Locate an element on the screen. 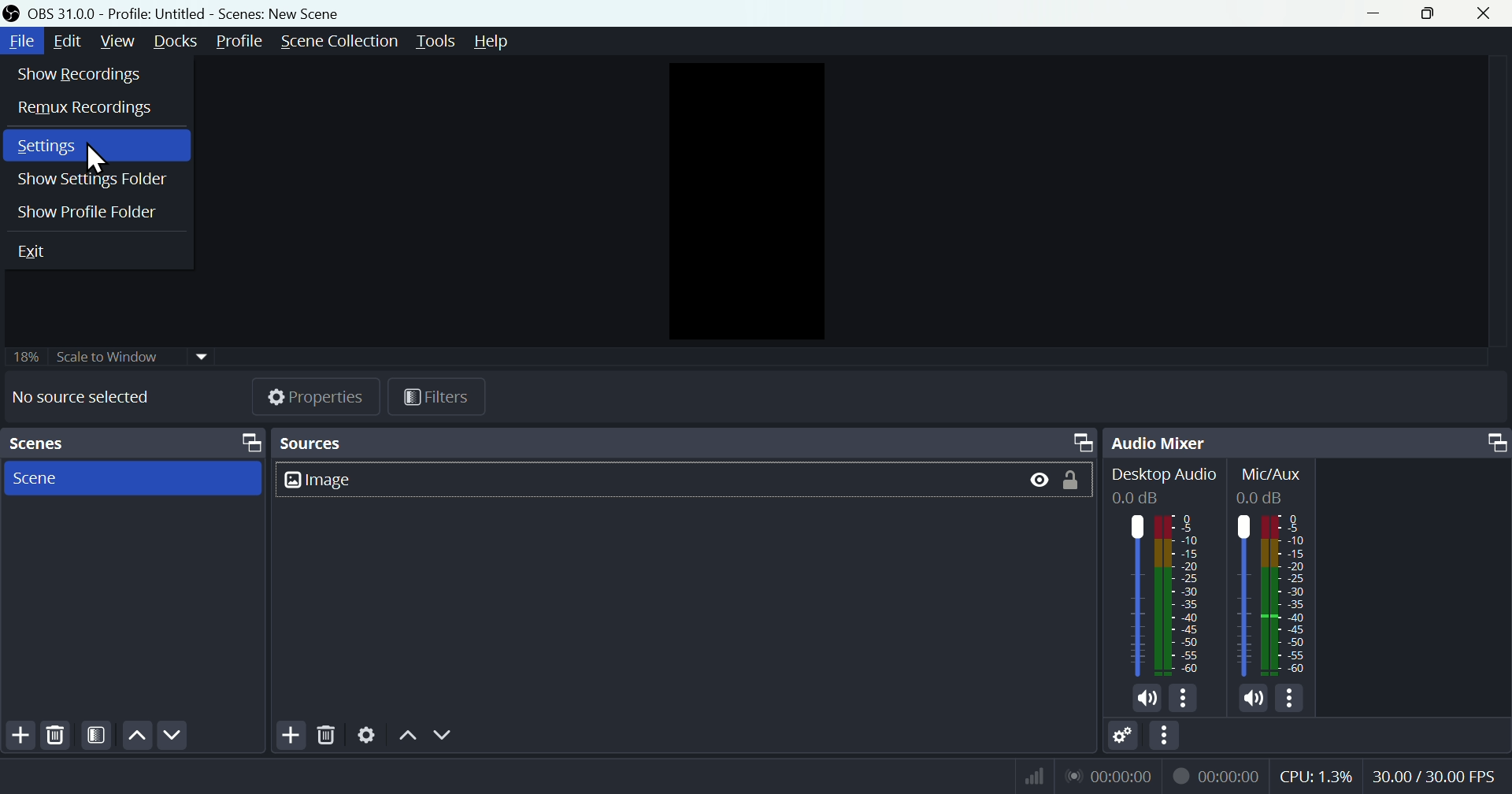 Image resolution: width=1512 pixels, height=794 pixels.  is located at coordinates (1037, 482).